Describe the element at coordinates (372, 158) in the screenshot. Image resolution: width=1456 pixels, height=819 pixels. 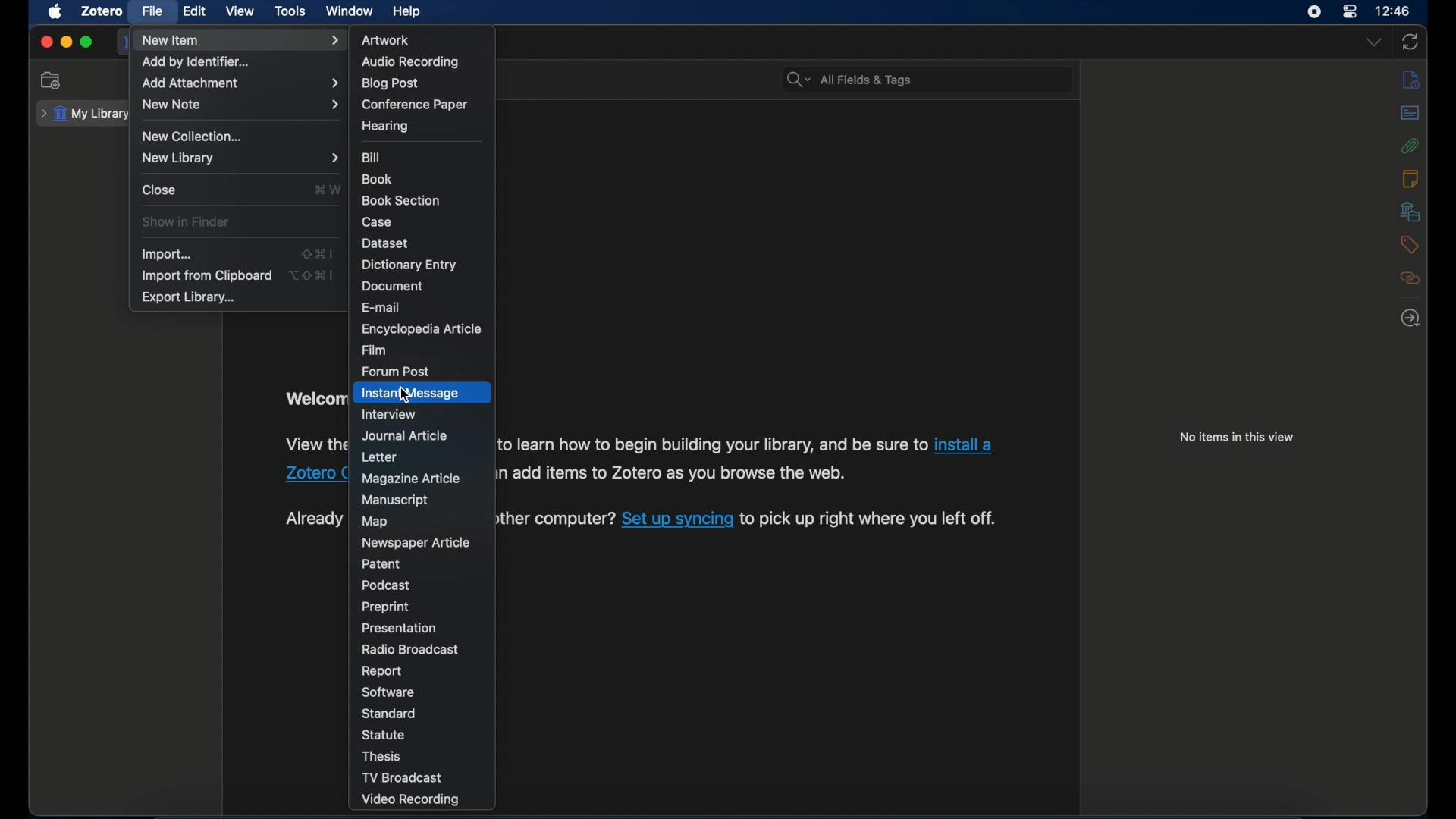
I see `bill` at that location.